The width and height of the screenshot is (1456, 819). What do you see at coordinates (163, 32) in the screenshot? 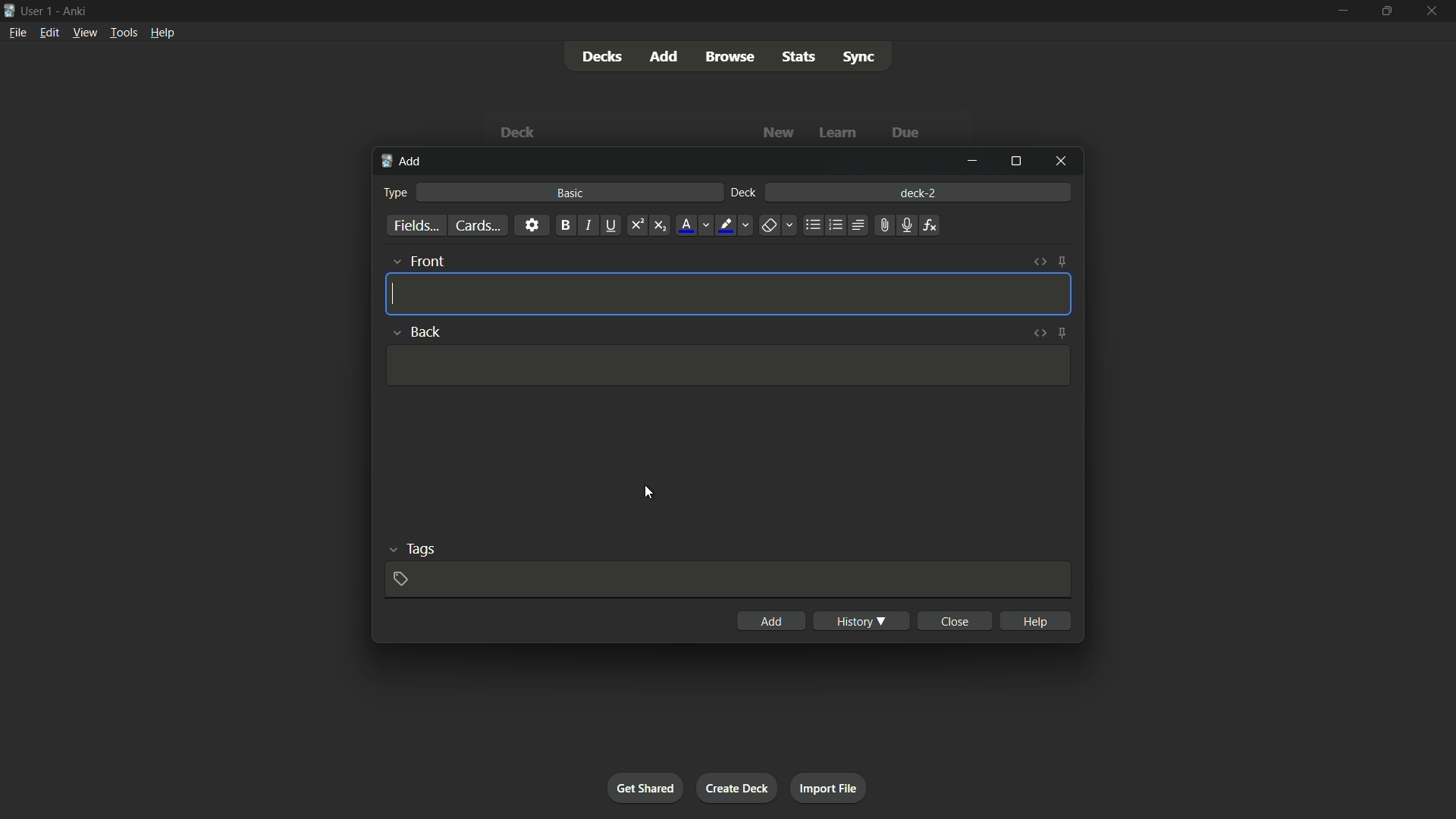
I see `help menu` at bounding box center [163, 32].